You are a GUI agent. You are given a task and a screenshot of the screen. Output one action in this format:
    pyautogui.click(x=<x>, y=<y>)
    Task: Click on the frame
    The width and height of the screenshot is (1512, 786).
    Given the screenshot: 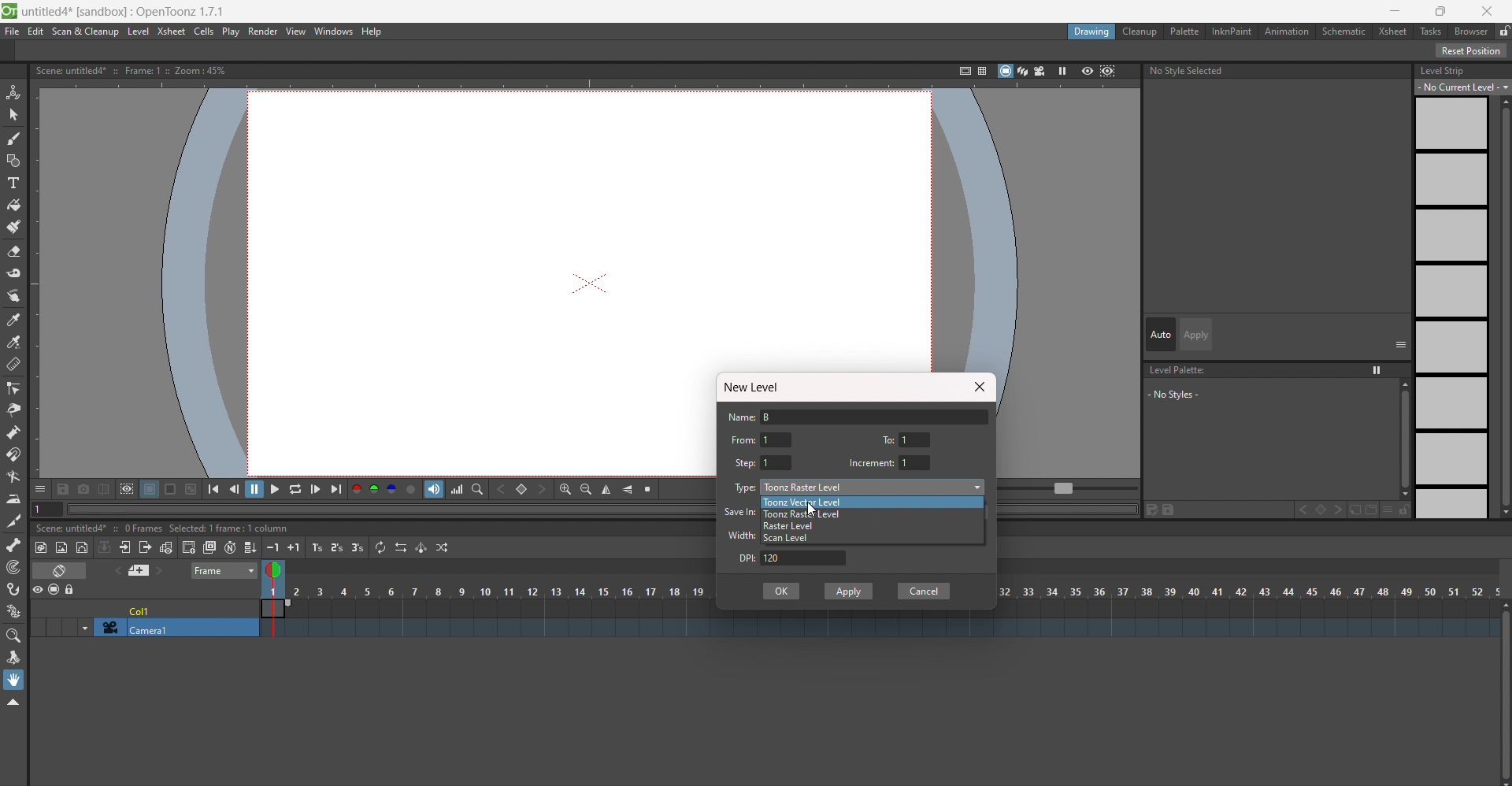 What is the action you would take?
    pyautogui.click(x=225, y=572)
    